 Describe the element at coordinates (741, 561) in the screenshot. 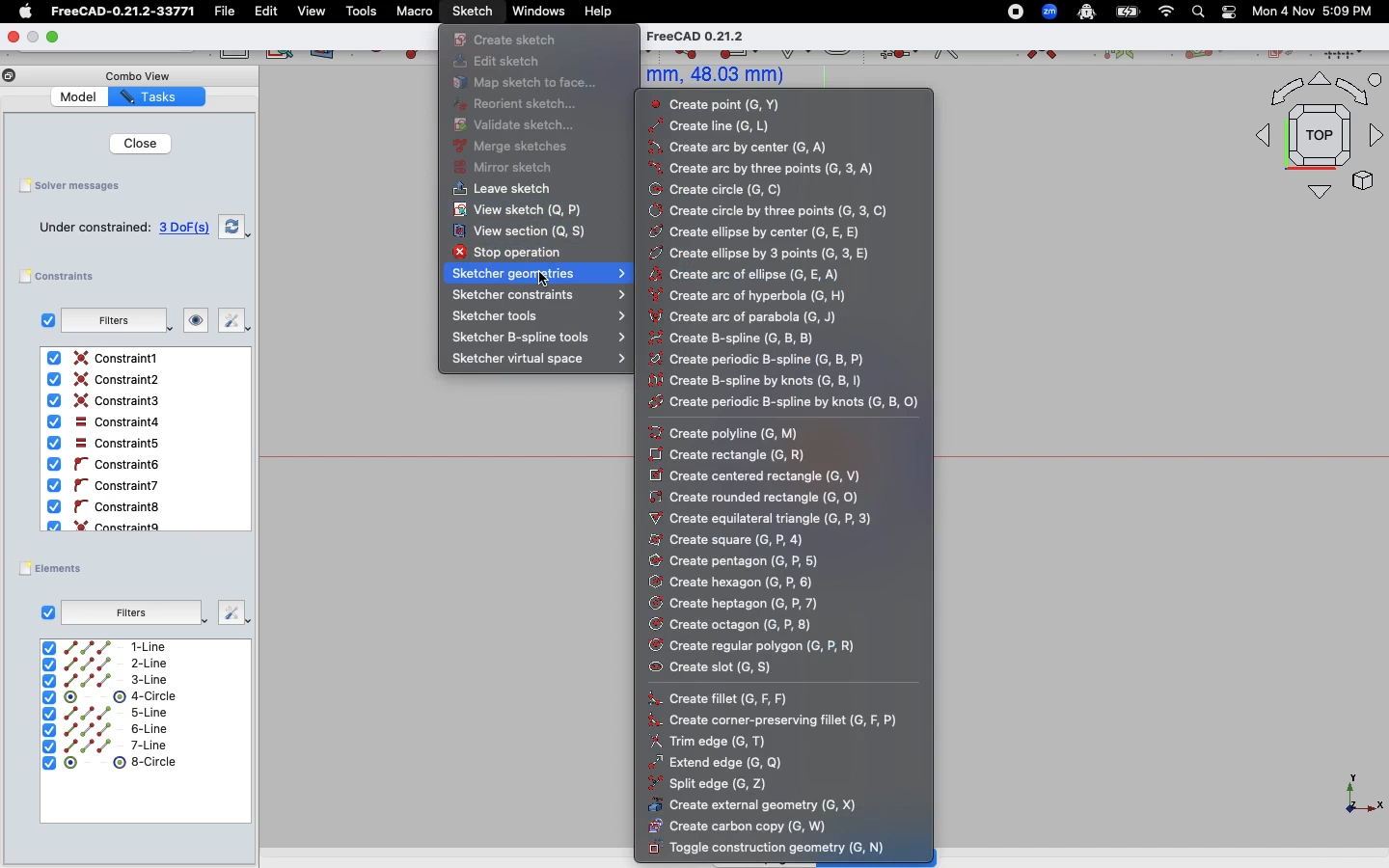

I see `Create pentagon` at that location.